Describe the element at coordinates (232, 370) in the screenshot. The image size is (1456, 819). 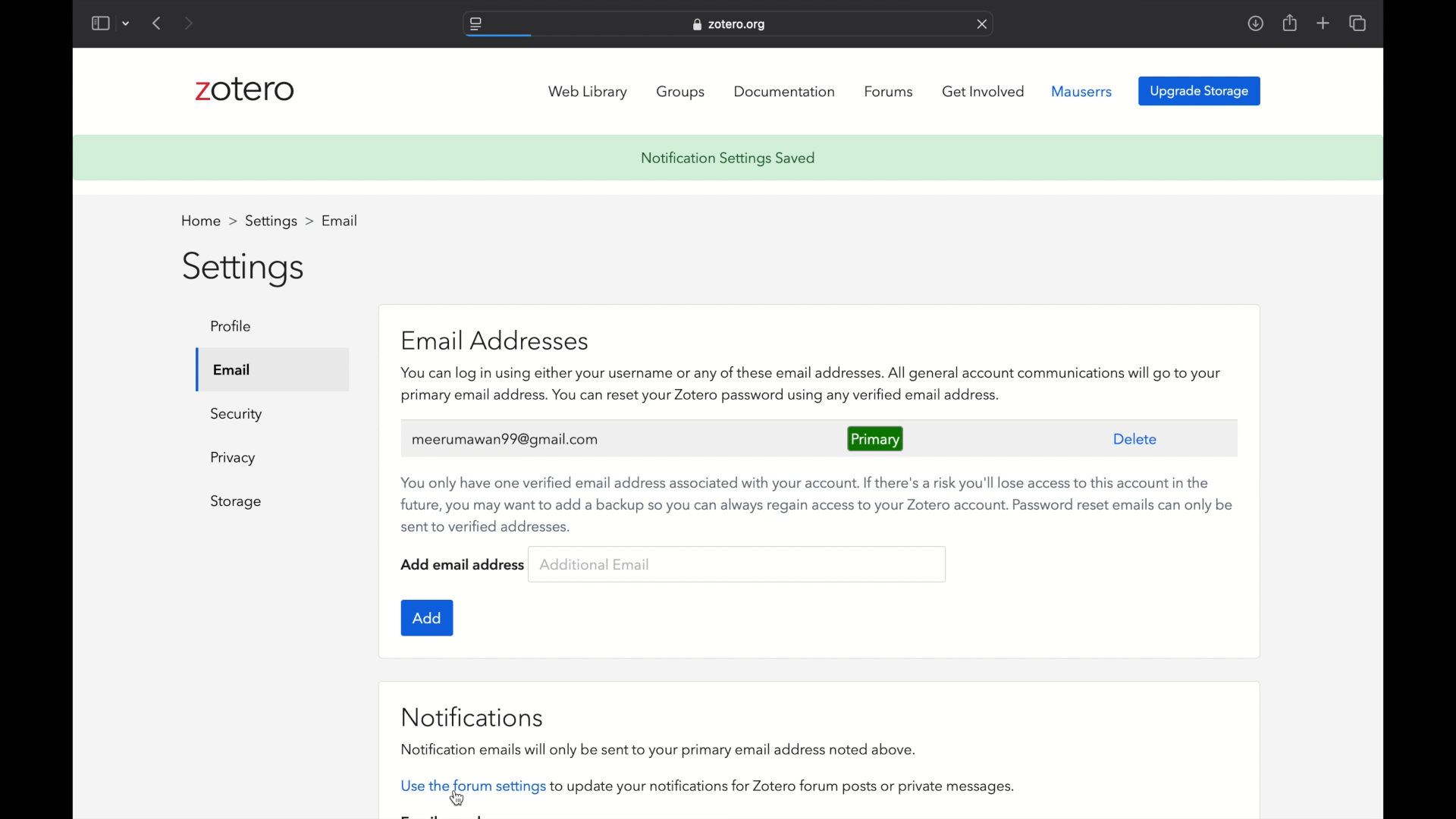
I see `email` at that location.